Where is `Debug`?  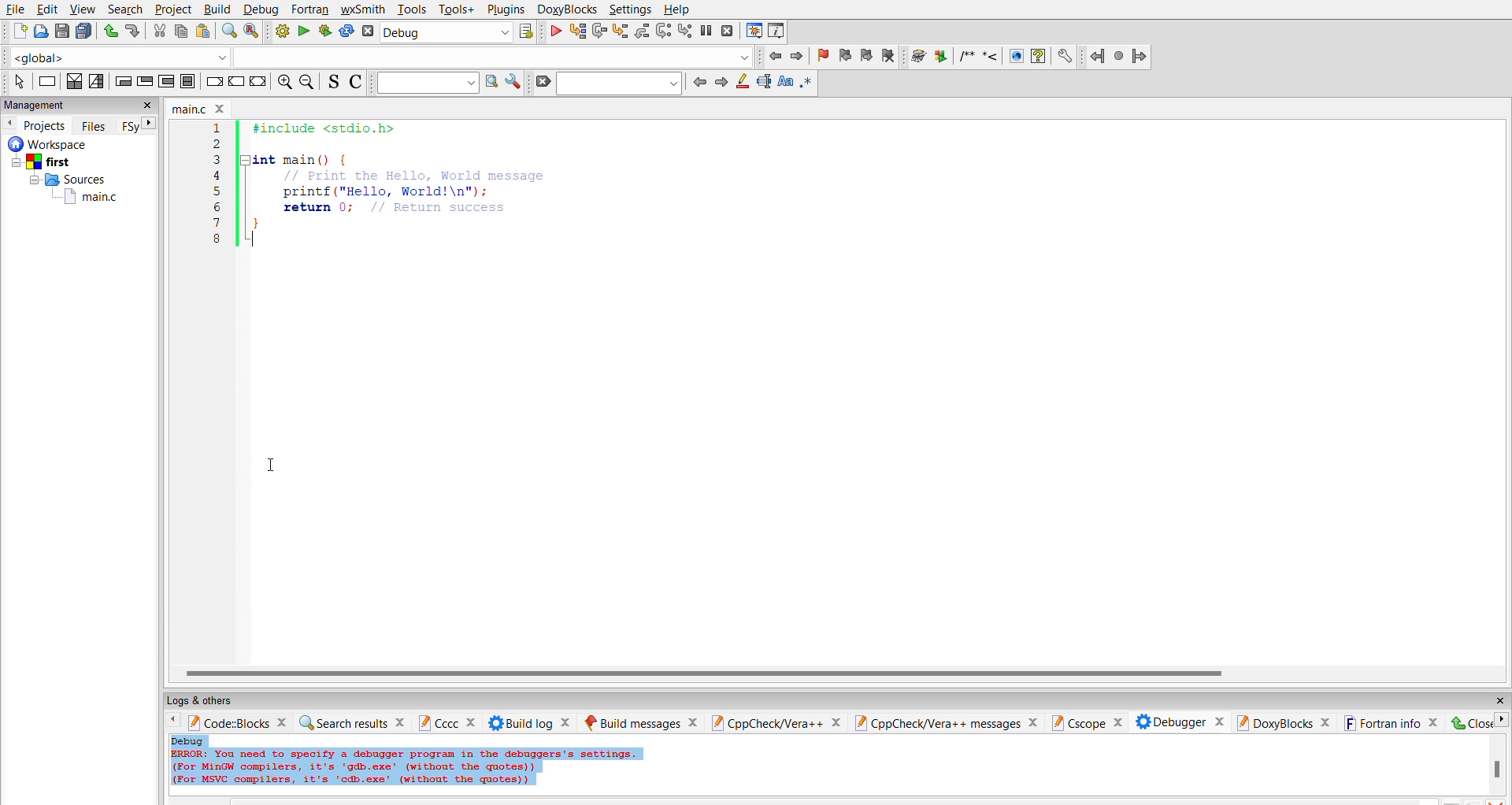 Debug is located at coordinates (448, 32).